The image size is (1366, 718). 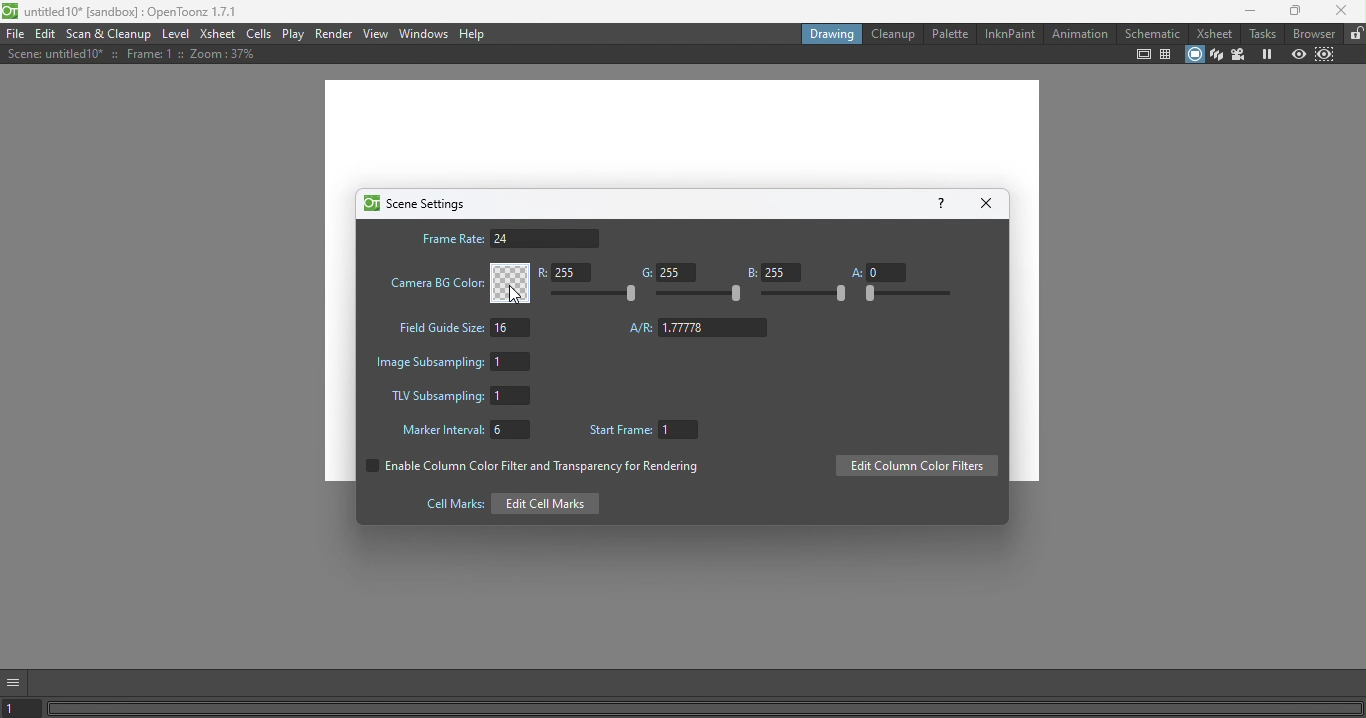 What do you see at coordinates (1079, 34) in the screenshot?
I see `Animation` at bounding box center [1079, 34].